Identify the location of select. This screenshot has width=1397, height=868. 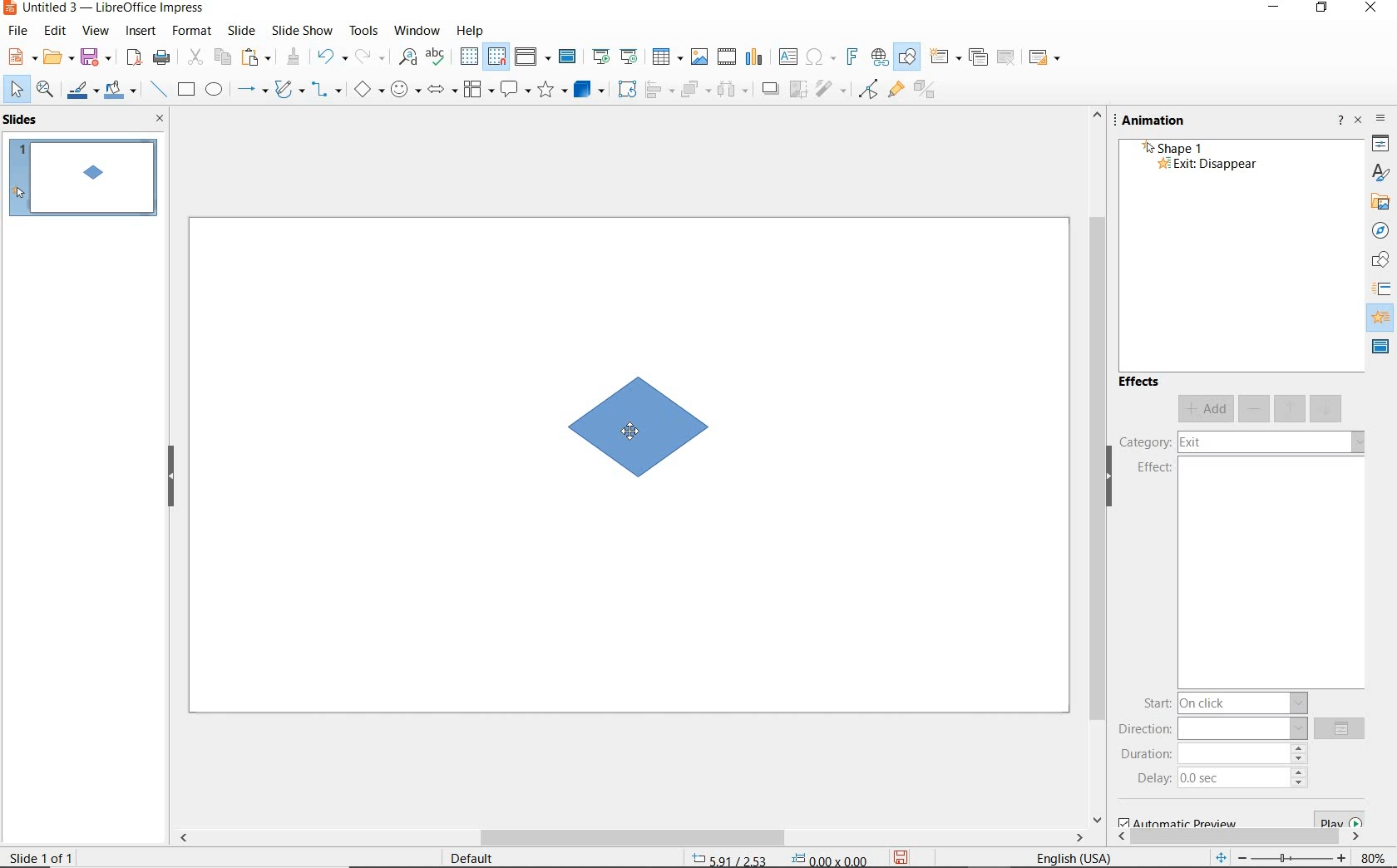
(17, 91).